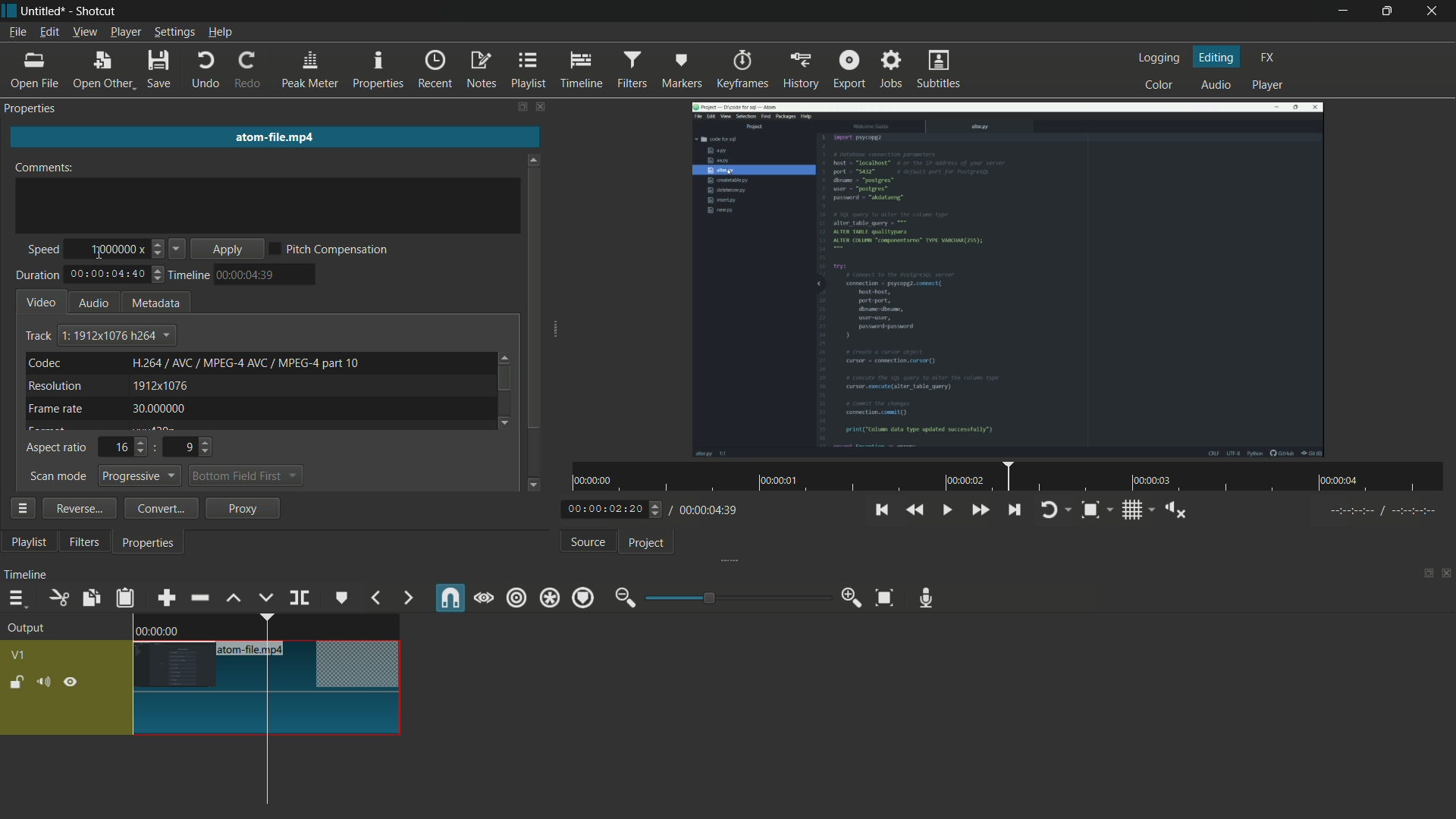 This screenshot has width=1456, height=819. What do you see at coordinates (20, 599) in the screenshot?
I see `timeline menu` at bounding box center [20, 599].